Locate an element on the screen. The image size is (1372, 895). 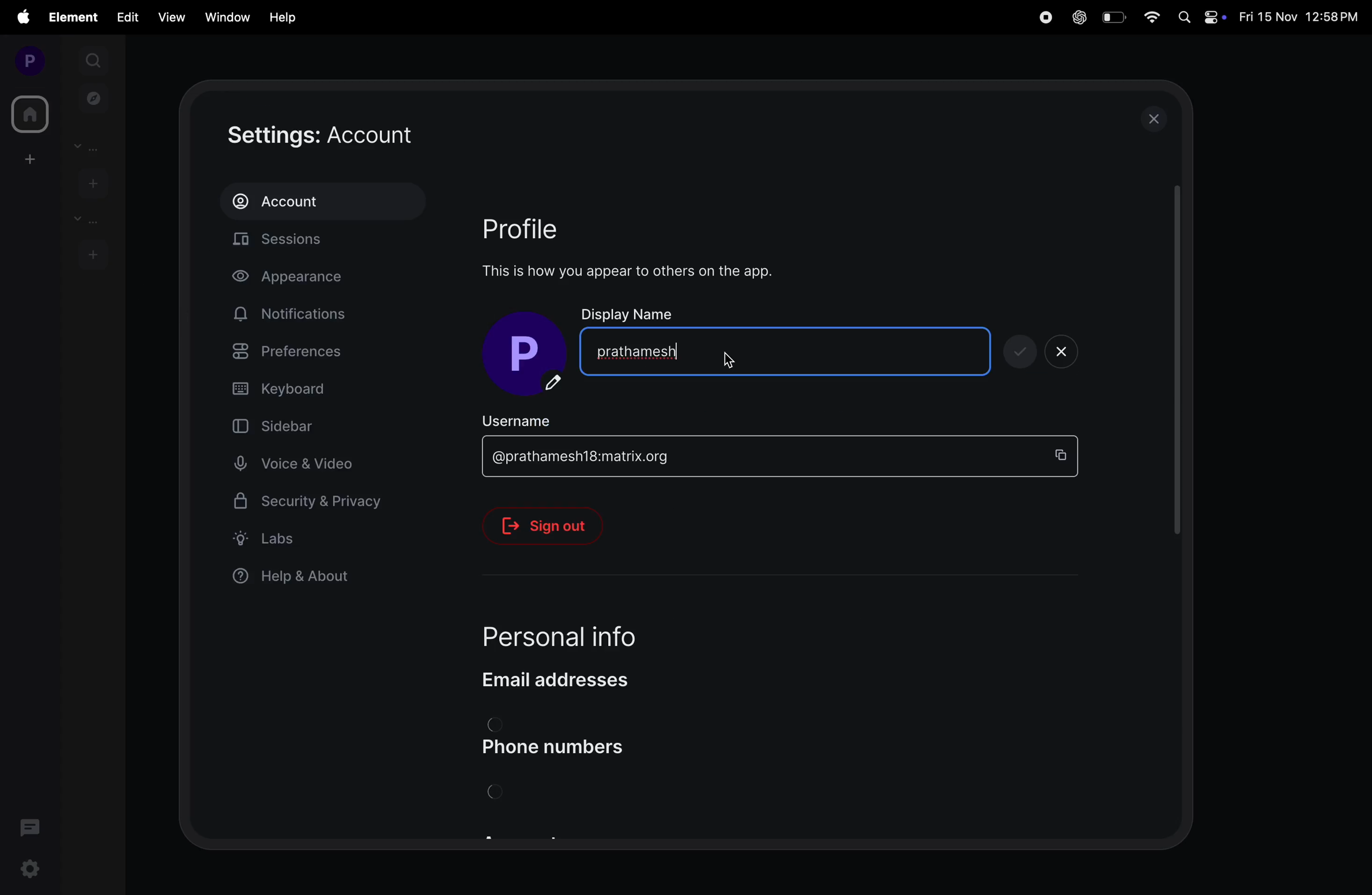
copy is located at coordinates (1065, 454).